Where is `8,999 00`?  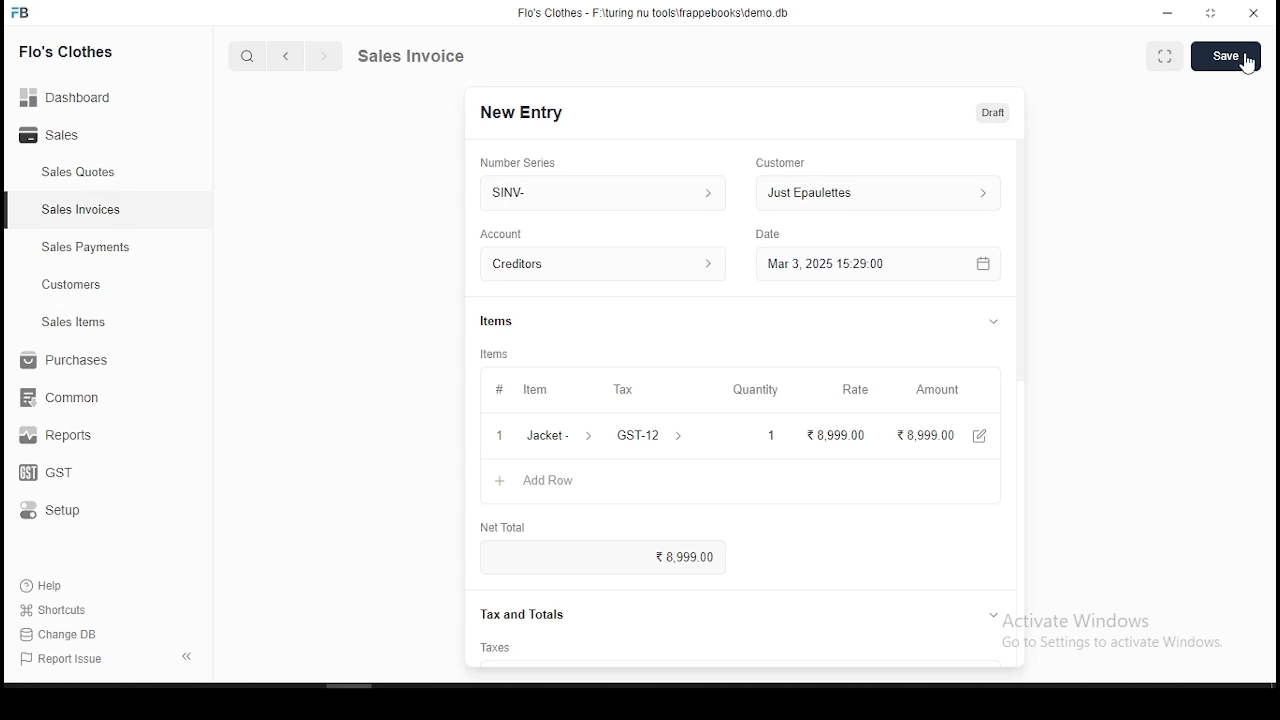 8,999 00 is located at coordinates (838, 434).